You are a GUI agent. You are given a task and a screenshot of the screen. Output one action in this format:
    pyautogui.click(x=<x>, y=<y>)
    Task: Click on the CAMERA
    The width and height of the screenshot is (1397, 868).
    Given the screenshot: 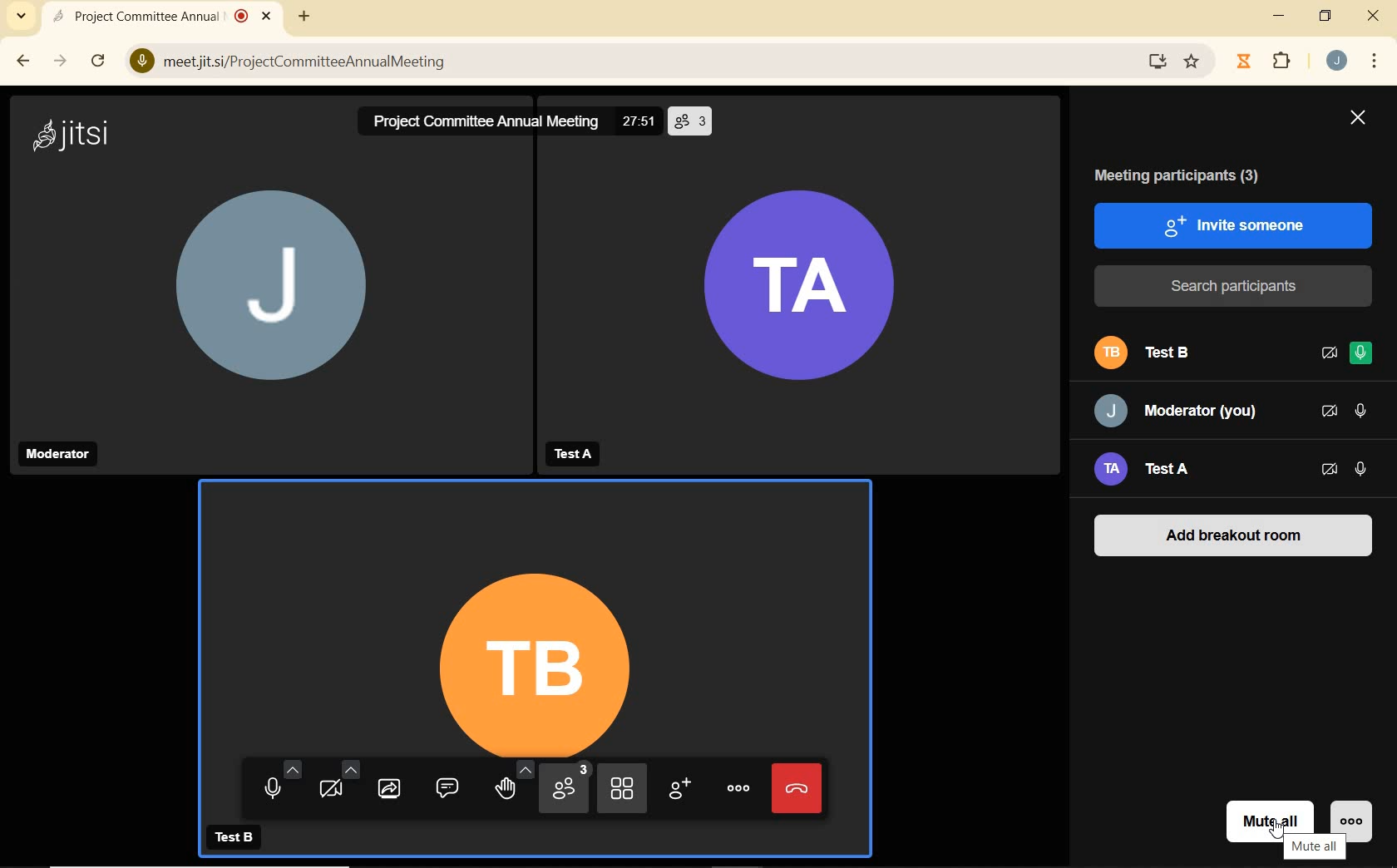 What is the action you would take?
    pyautogui.click(x=1330, y=471)
    